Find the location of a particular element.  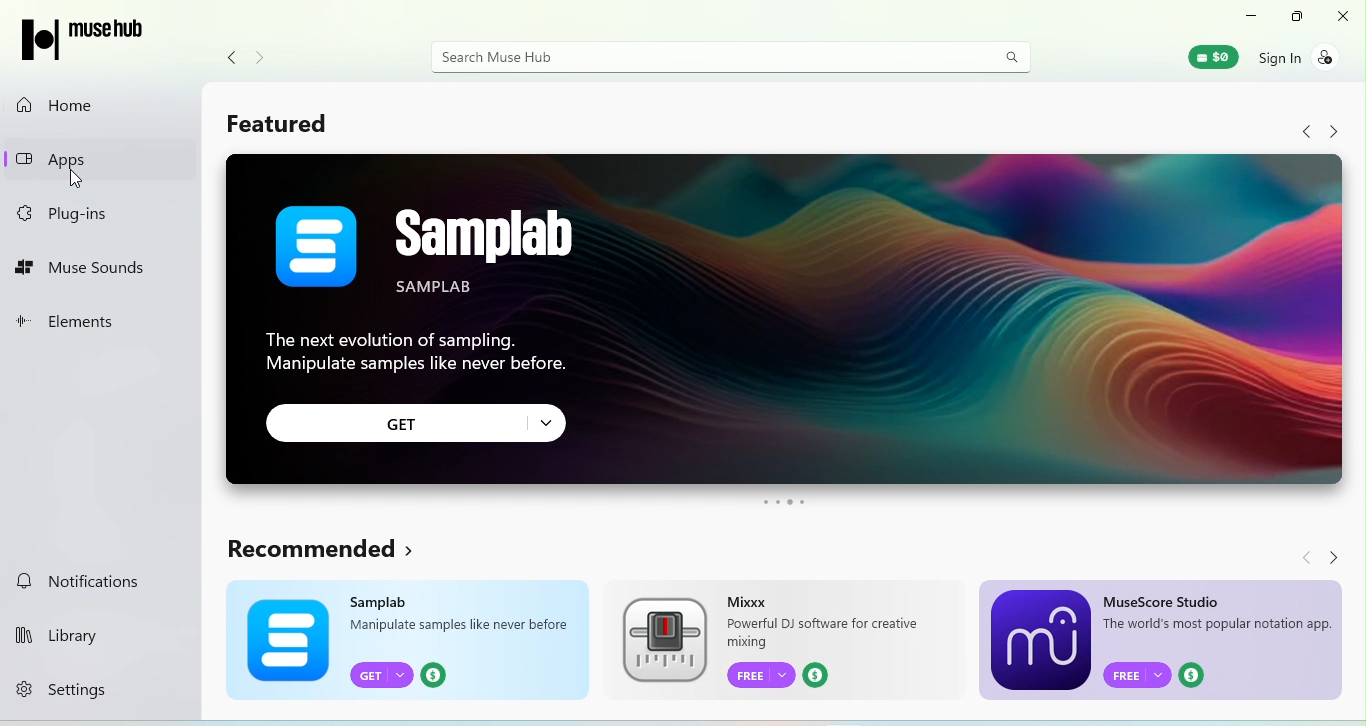

MuseScore Studio is located at coordinates (1040, 640).